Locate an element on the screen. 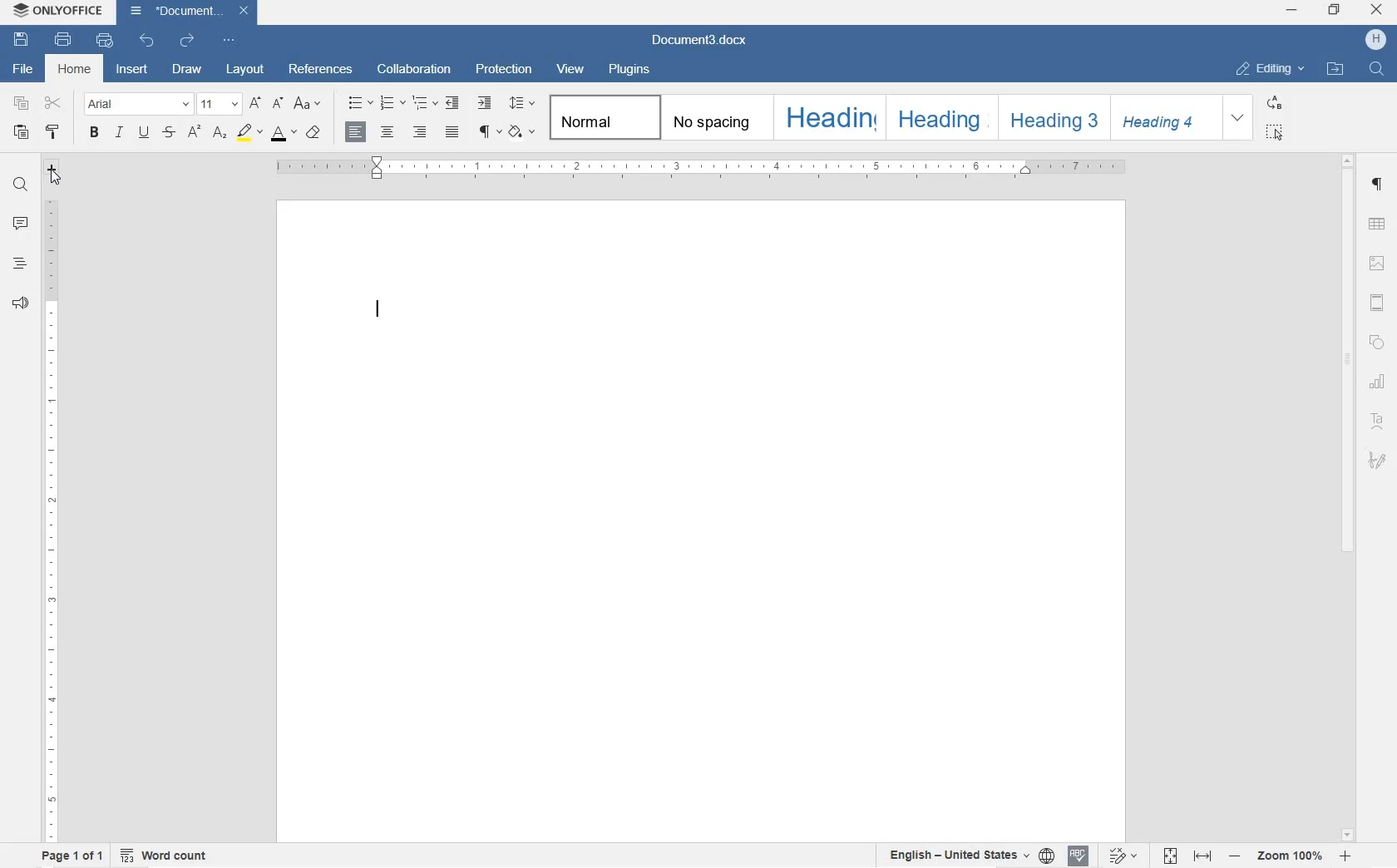  LAYOUT is located at coordinates (244, 70).